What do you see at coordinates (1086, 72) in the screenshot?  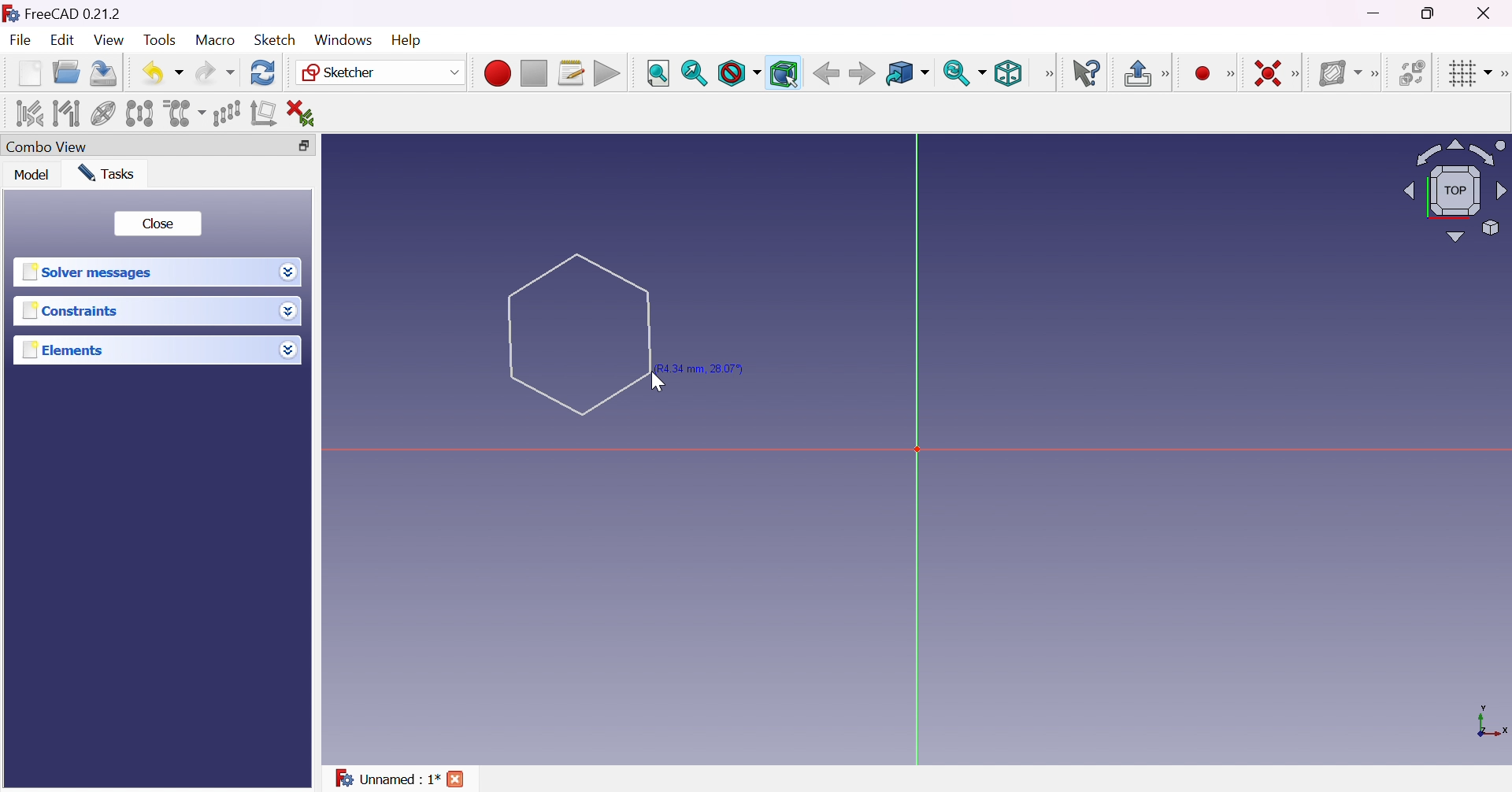 I see `What's this?` at bounding box center [1086, 72].